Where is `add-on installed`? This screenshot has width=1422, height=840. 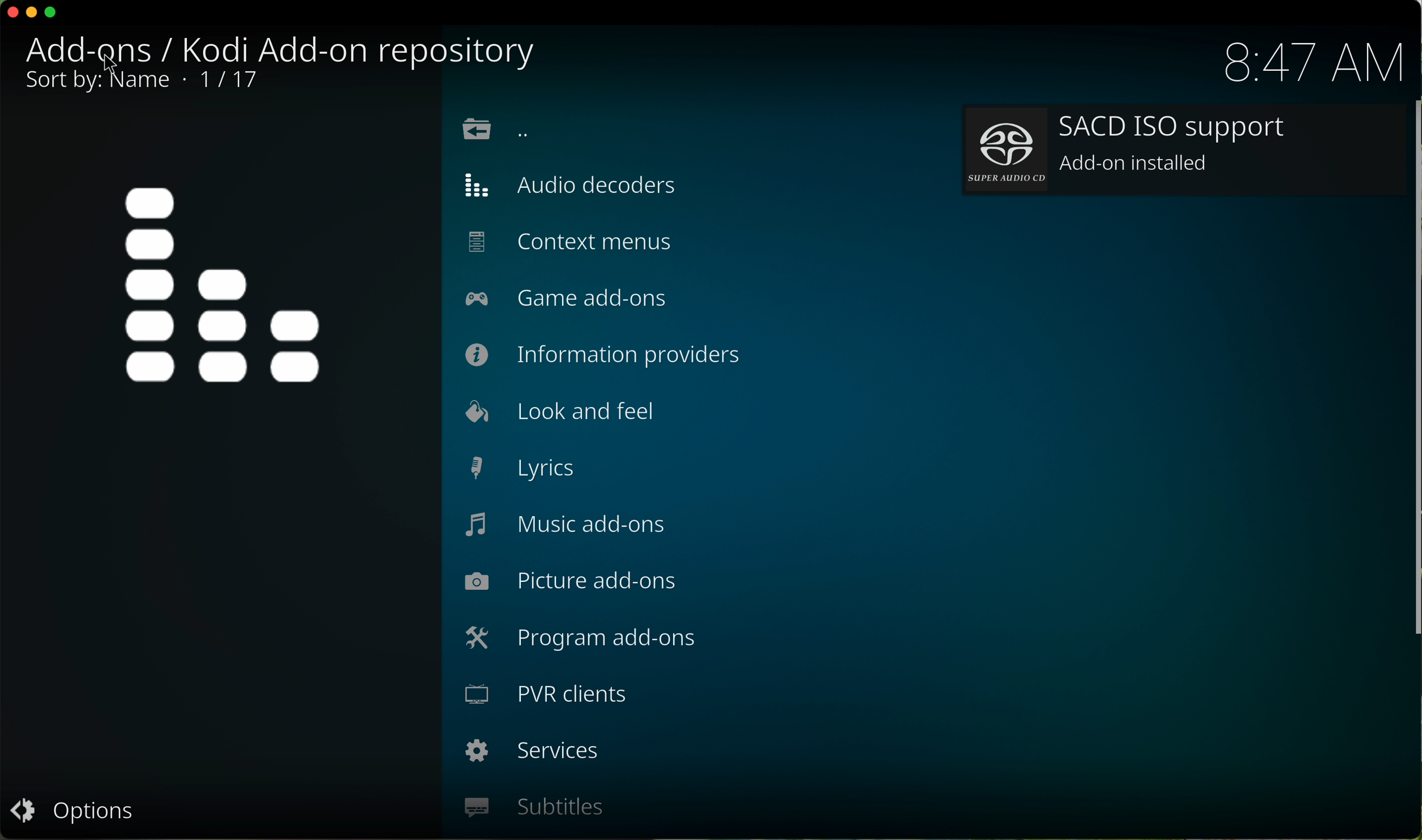
add-on installed is located at coordinates (1181, 150).